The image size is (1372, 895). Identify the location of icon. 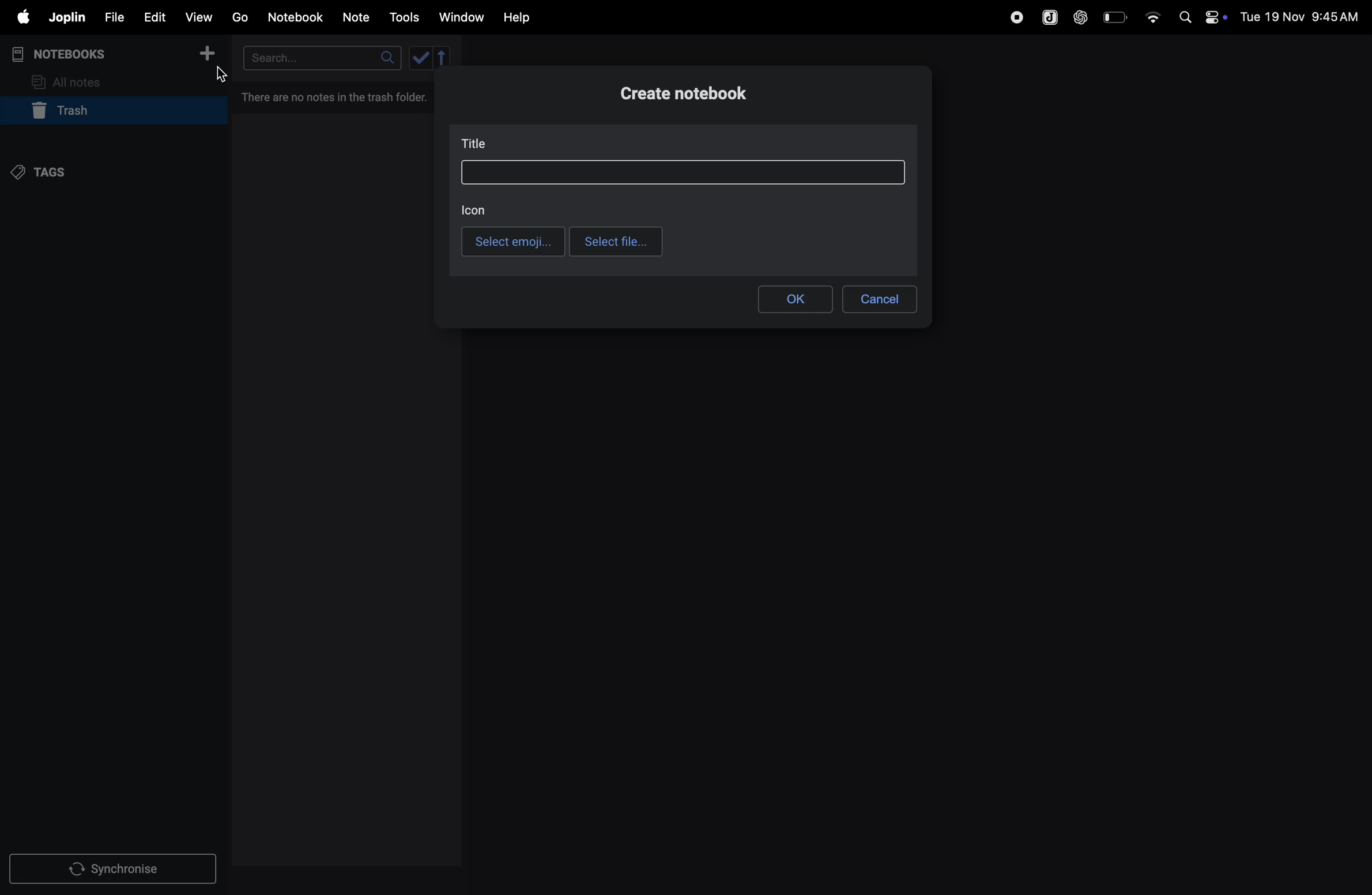
(474, 208).